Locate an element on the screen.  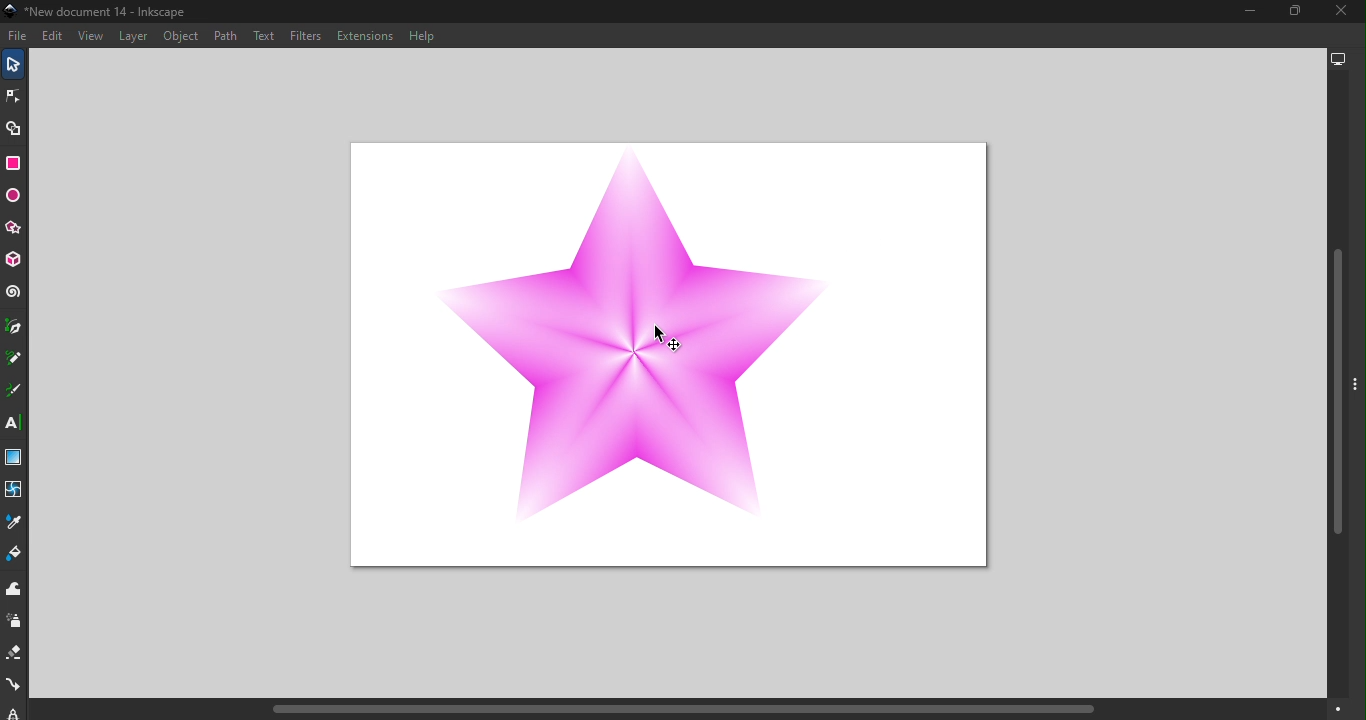
Horizontal scroll bar is located at coordinates (688, 707).